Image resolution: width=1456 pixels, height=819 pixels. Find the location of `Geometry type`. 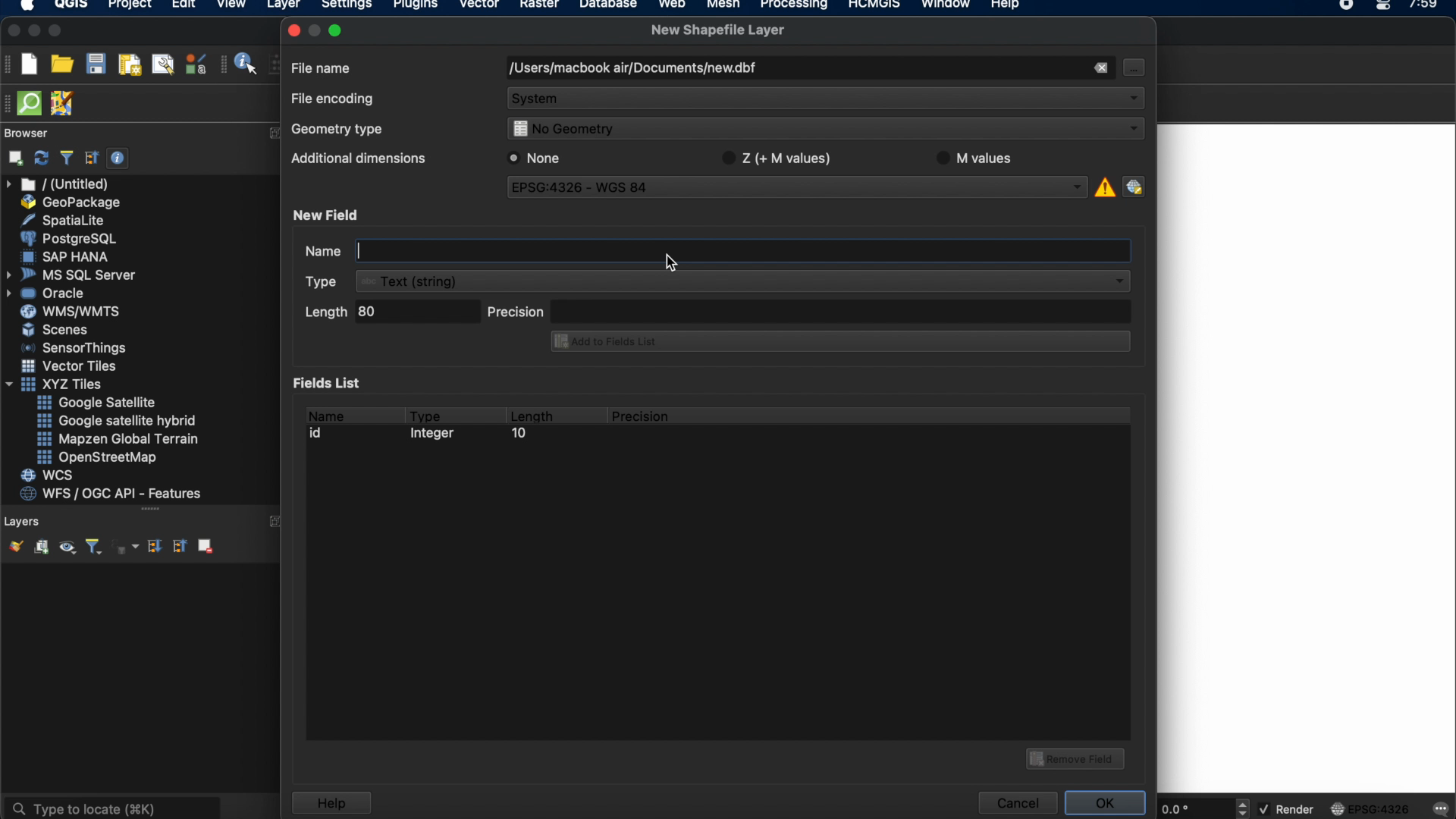

Geometry type is located at coordinates (342, 131).